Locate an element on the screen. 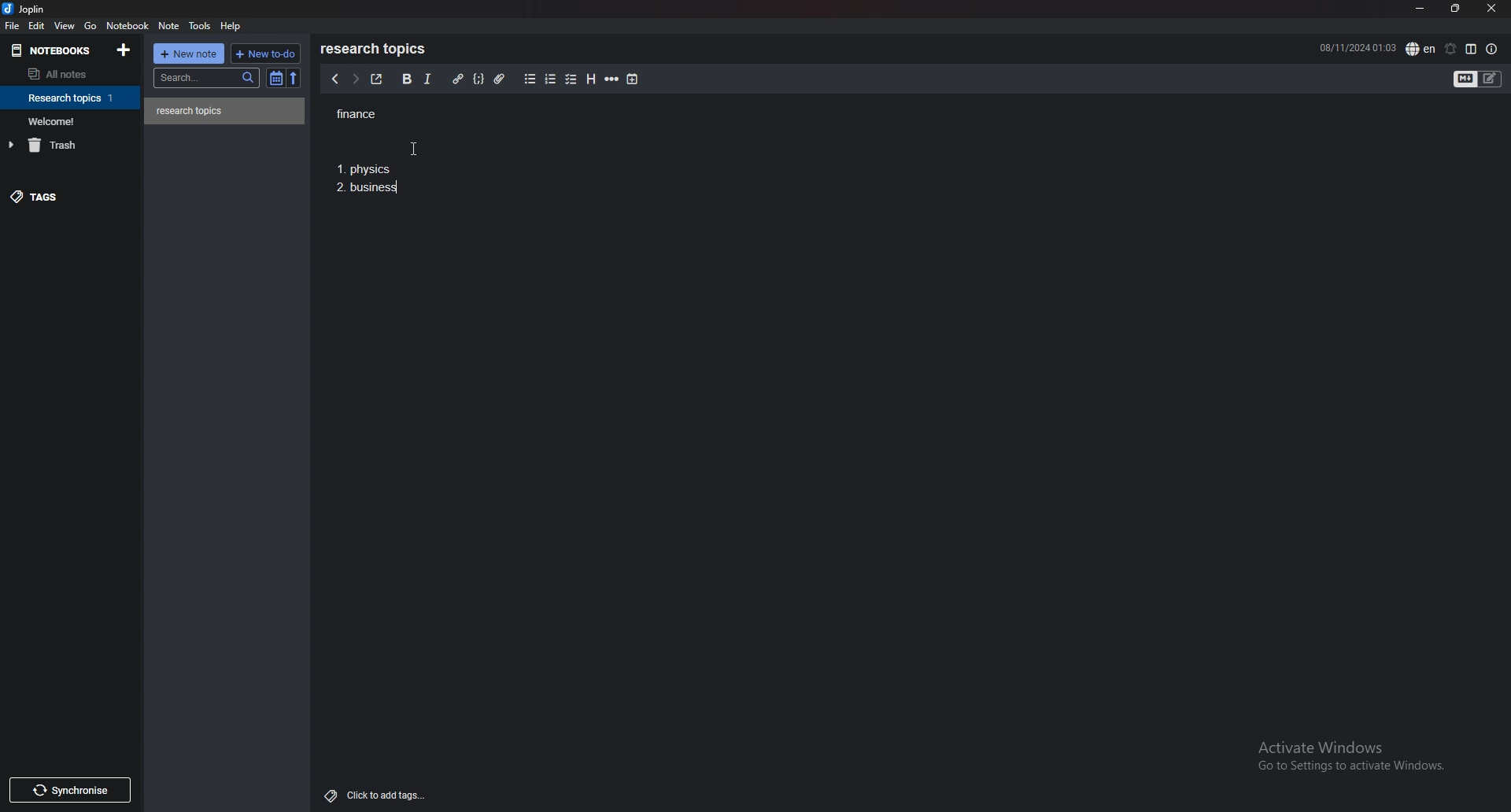 The width and height of the screenshot is (1511, 812). notebooks is located at coordinates (54, 50).